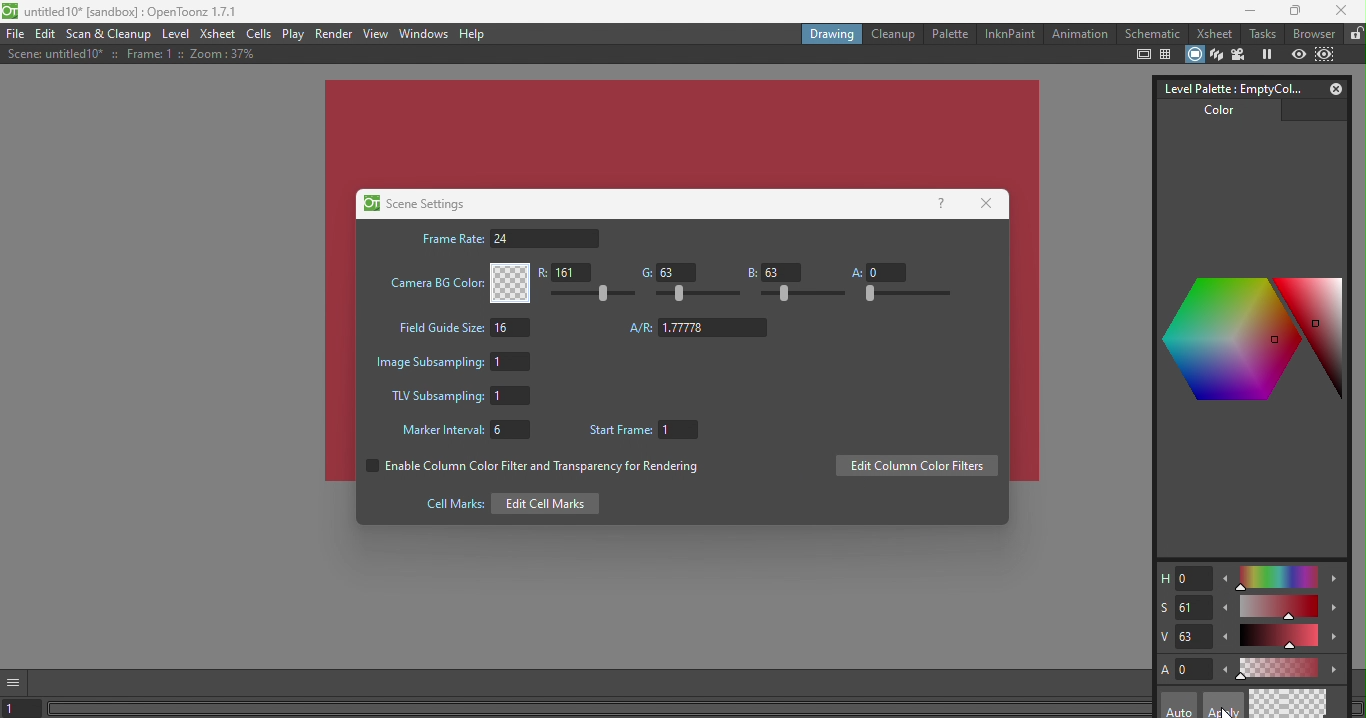 Image resolution: width=1366 pixels, height=718 pixels. What do you see at coordinates (1334, 581) in the screenshot?
I see `` at bounding box center [1334, 581].